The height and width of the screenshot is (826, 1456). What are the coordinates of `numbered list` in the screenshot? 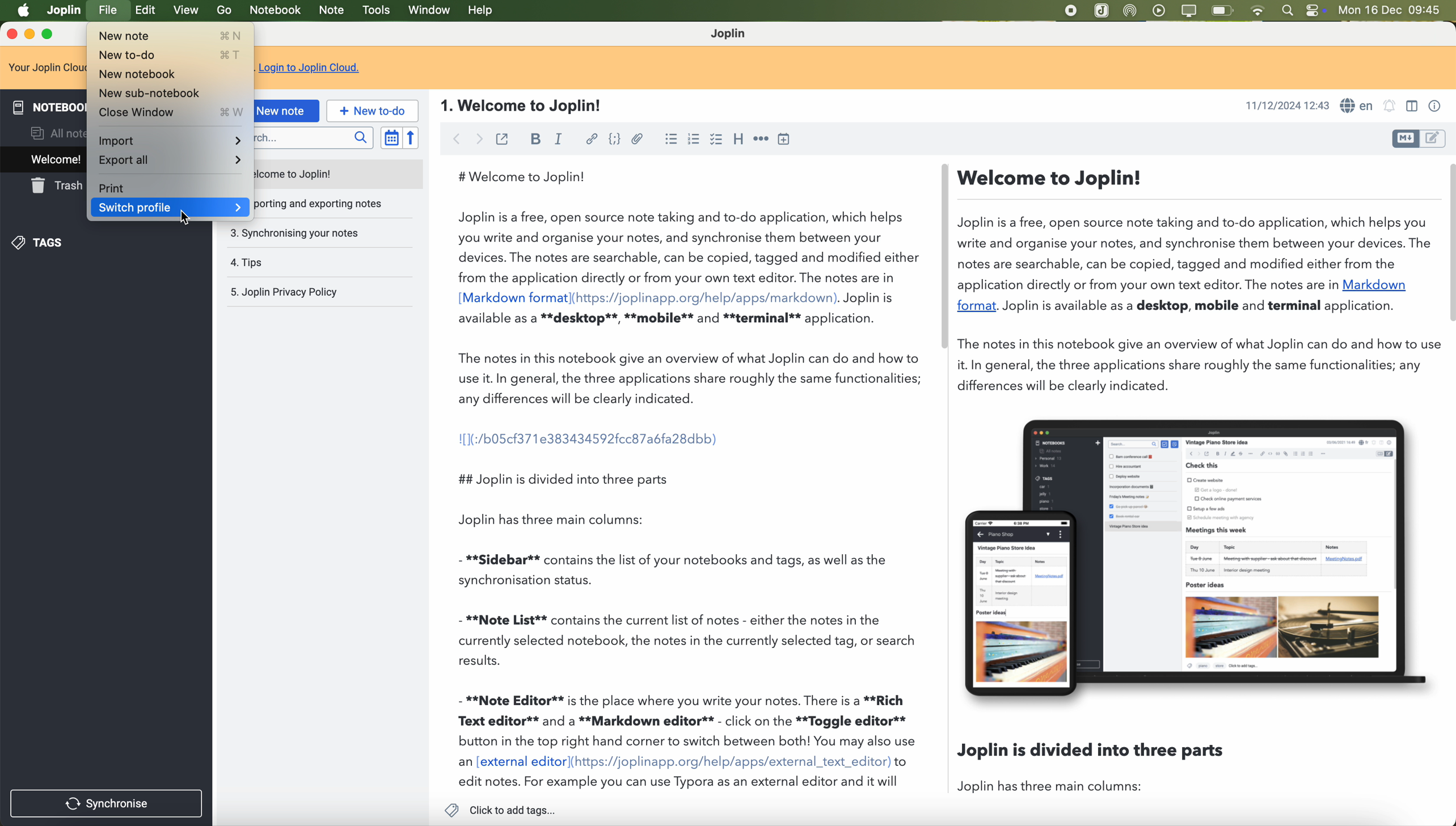 It's located at (695, 140).